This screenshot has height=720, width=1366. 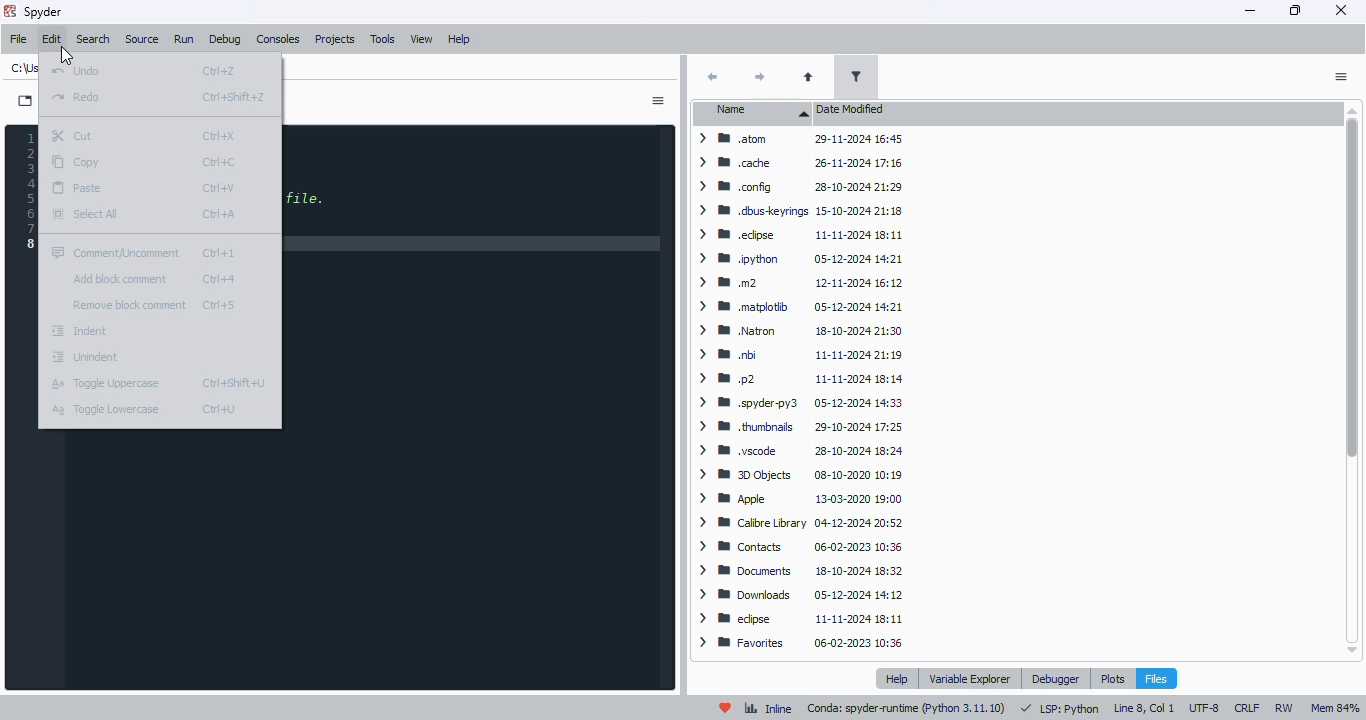 What do you see at coordinates (219, 163) in the screenshot?
I see `shortcut for copy` at bounding box center [219, 163].